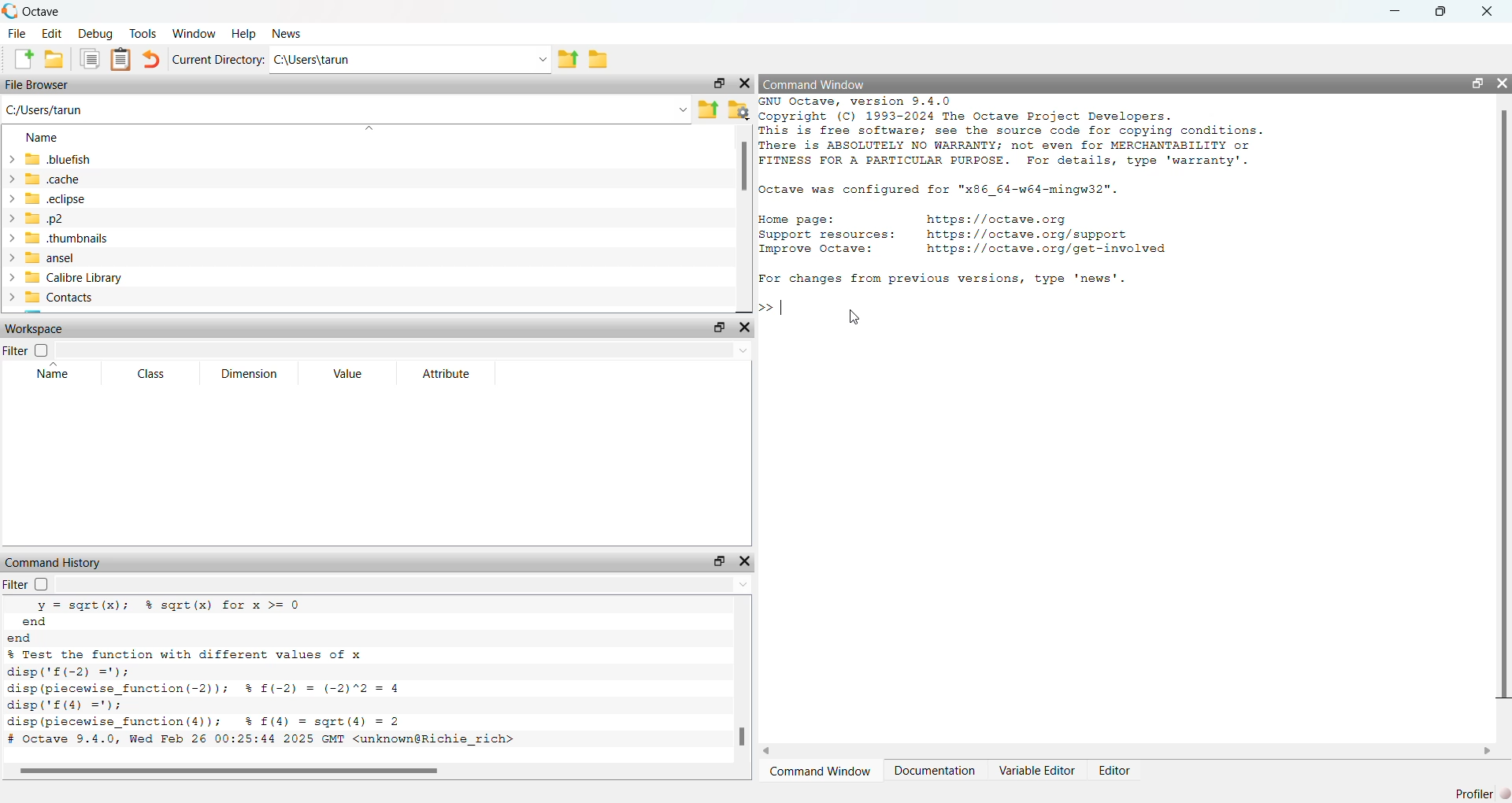 The image size is (1512, 803). I want to click on Filter, so click(42, 584).